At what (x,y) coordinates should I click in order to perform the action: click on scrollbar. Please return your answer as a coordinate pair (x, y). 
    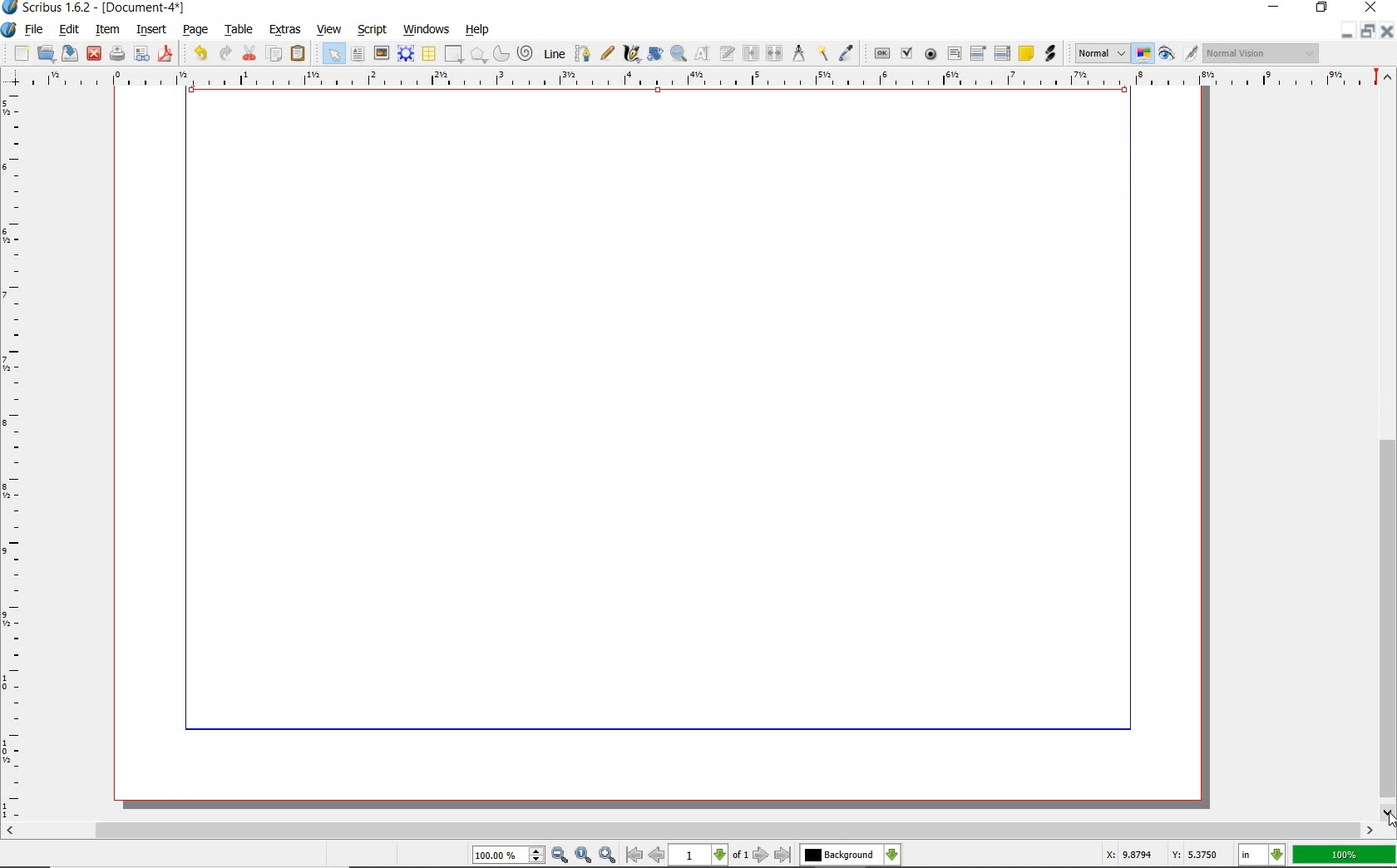
    Looking at the image, I should click on (690, 830).